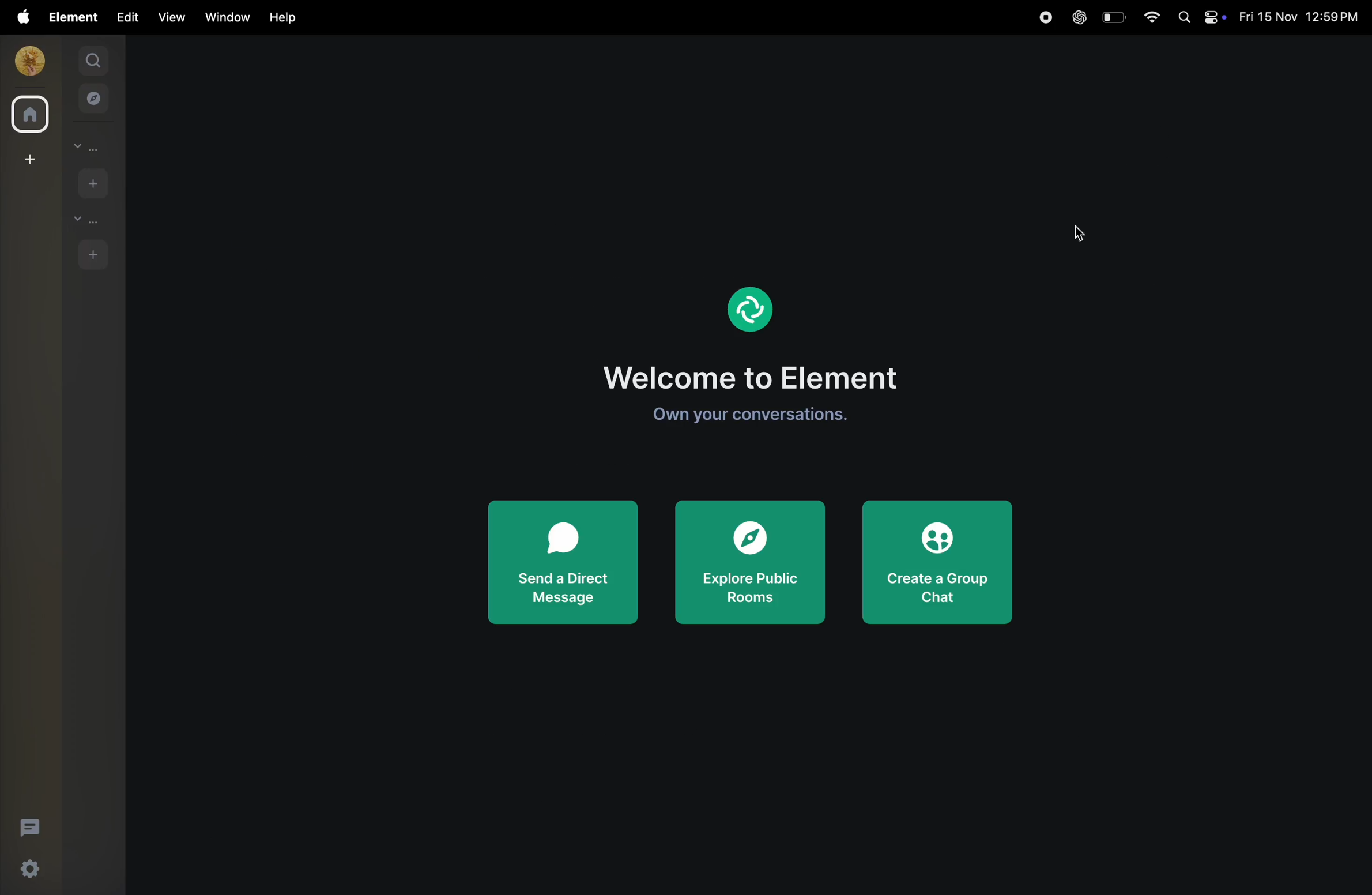 The height and width of the screenshot is (895, 1372). What do you see at coordinates (561, 566) in the screenshot?
I see `Send direct message` at bounding box center [561, 566].